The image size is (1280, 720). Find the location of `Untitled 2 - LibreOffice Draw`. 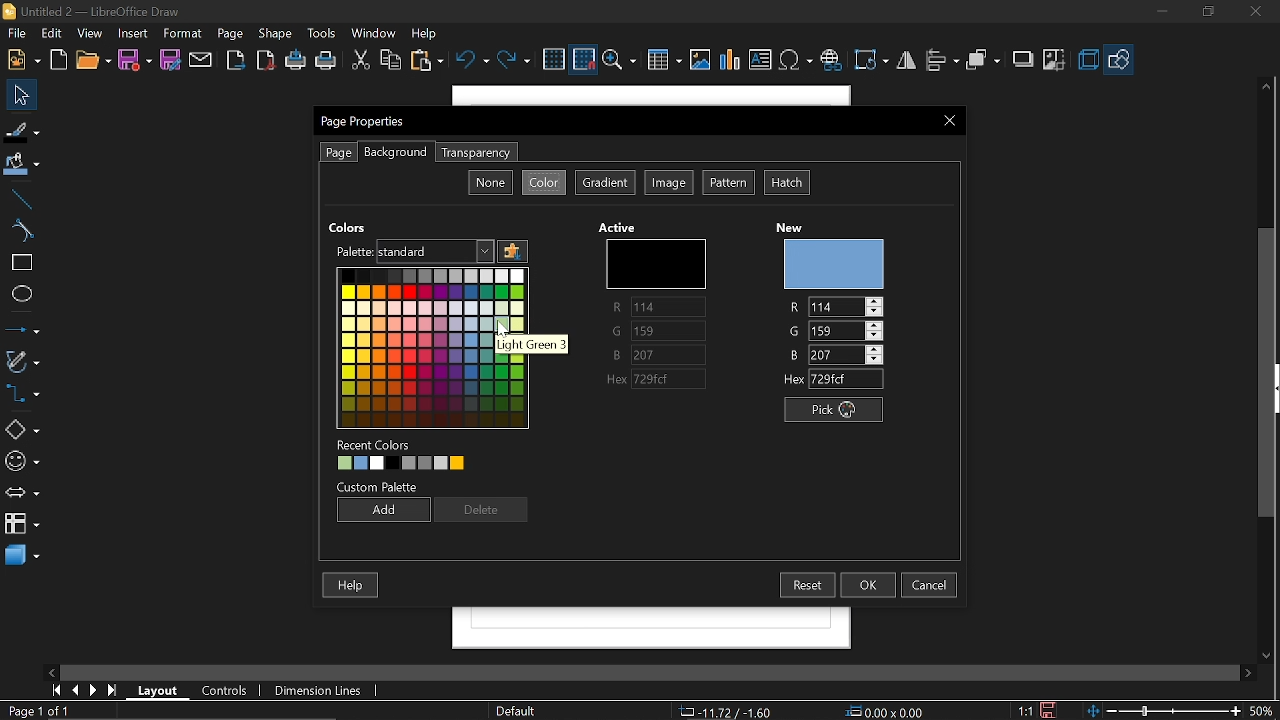

Untitled 2 - LibreOffice Draw is located at coordinates (101, 10).